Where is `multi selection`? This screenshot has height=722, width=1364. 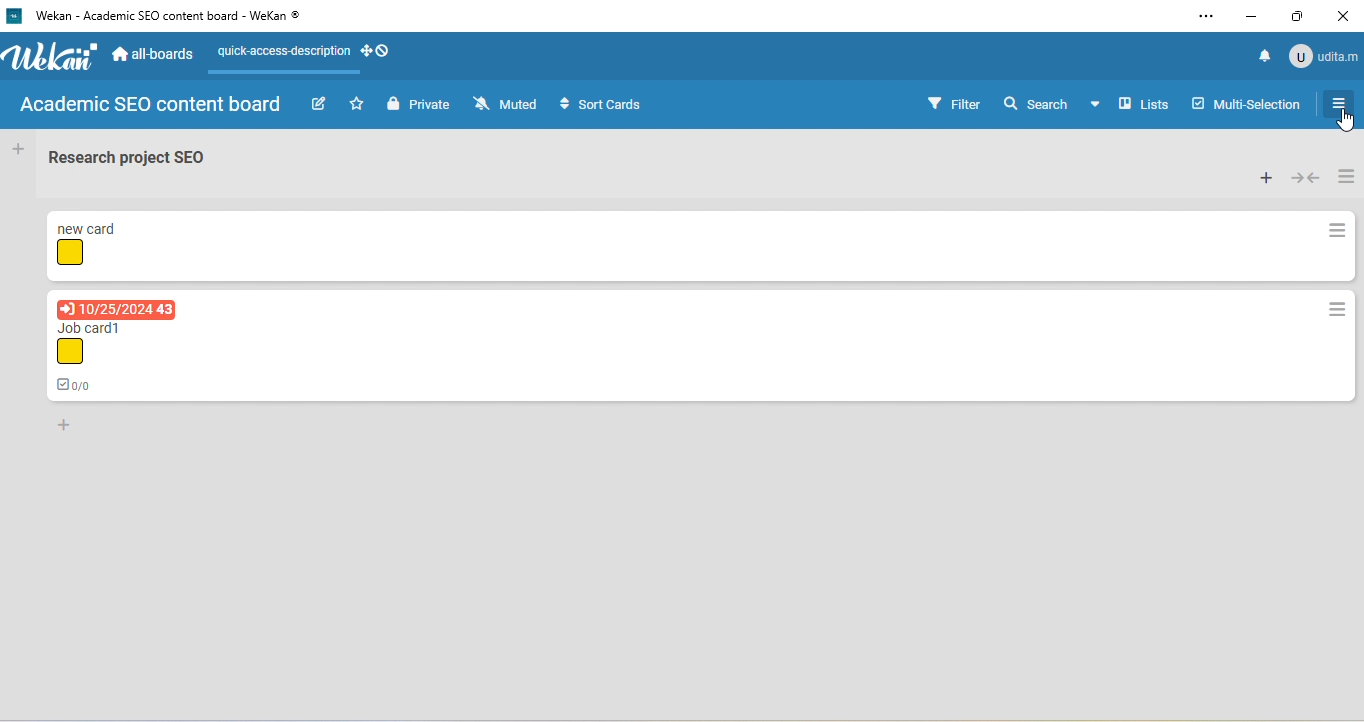
multi selection is located at coordinates (1243, 109).